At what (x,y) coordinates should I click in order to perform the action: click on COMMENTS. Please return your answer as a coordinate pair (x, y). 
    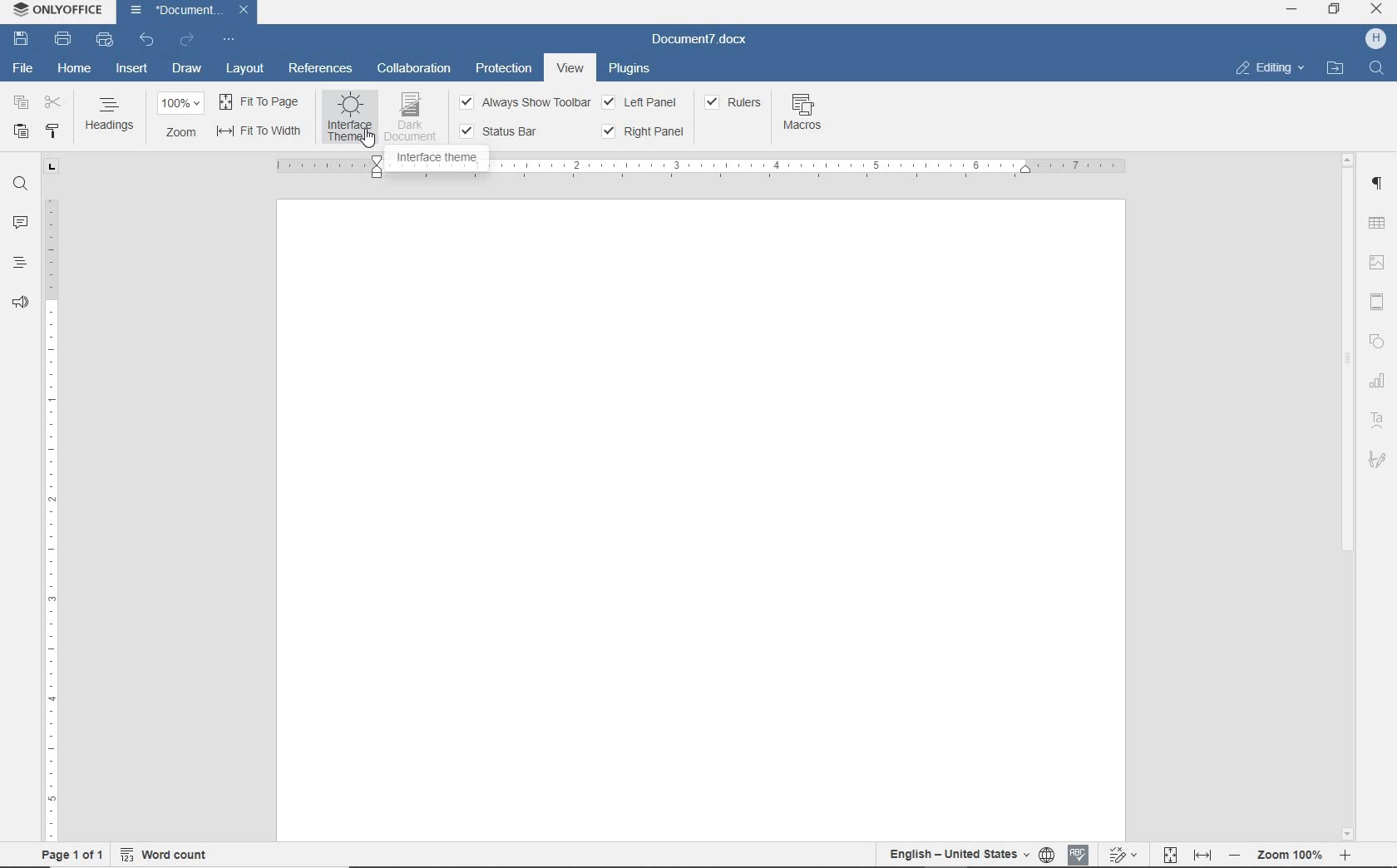
    Looking at the image, I should click on (19, 221).